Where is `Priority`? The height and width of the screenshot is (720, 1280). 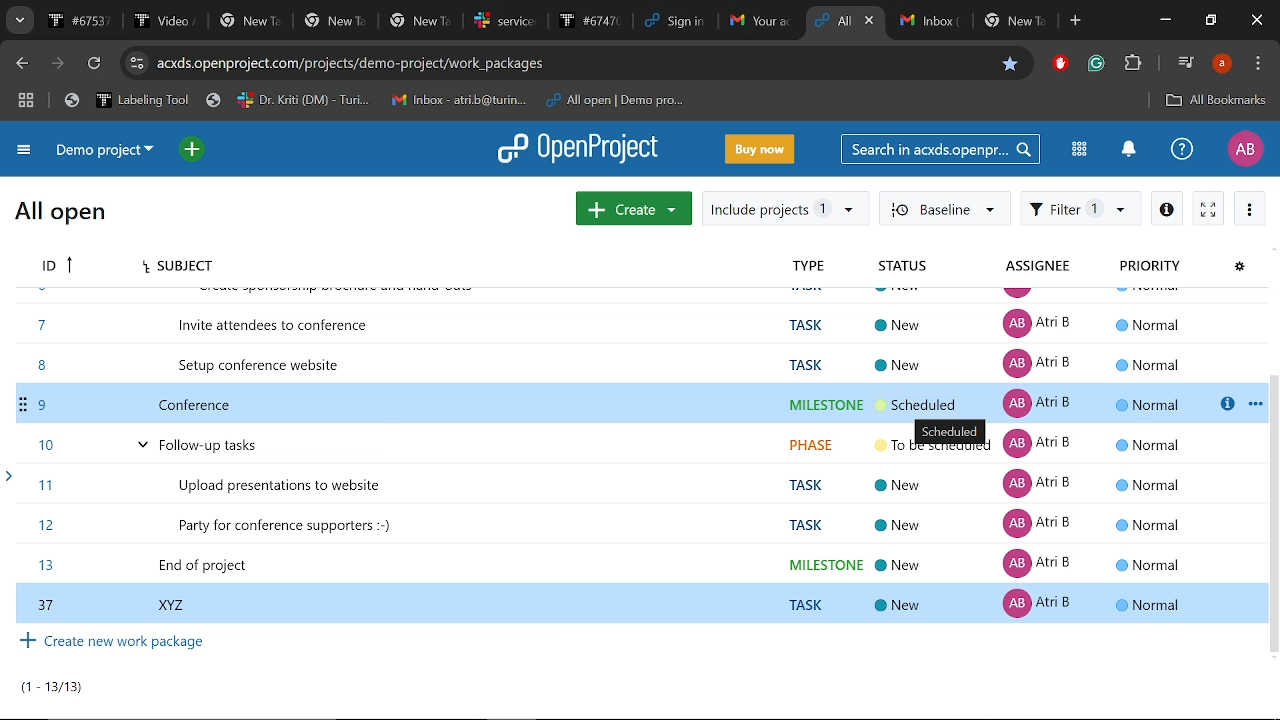
Priority is located at coordinates (1154, 266).